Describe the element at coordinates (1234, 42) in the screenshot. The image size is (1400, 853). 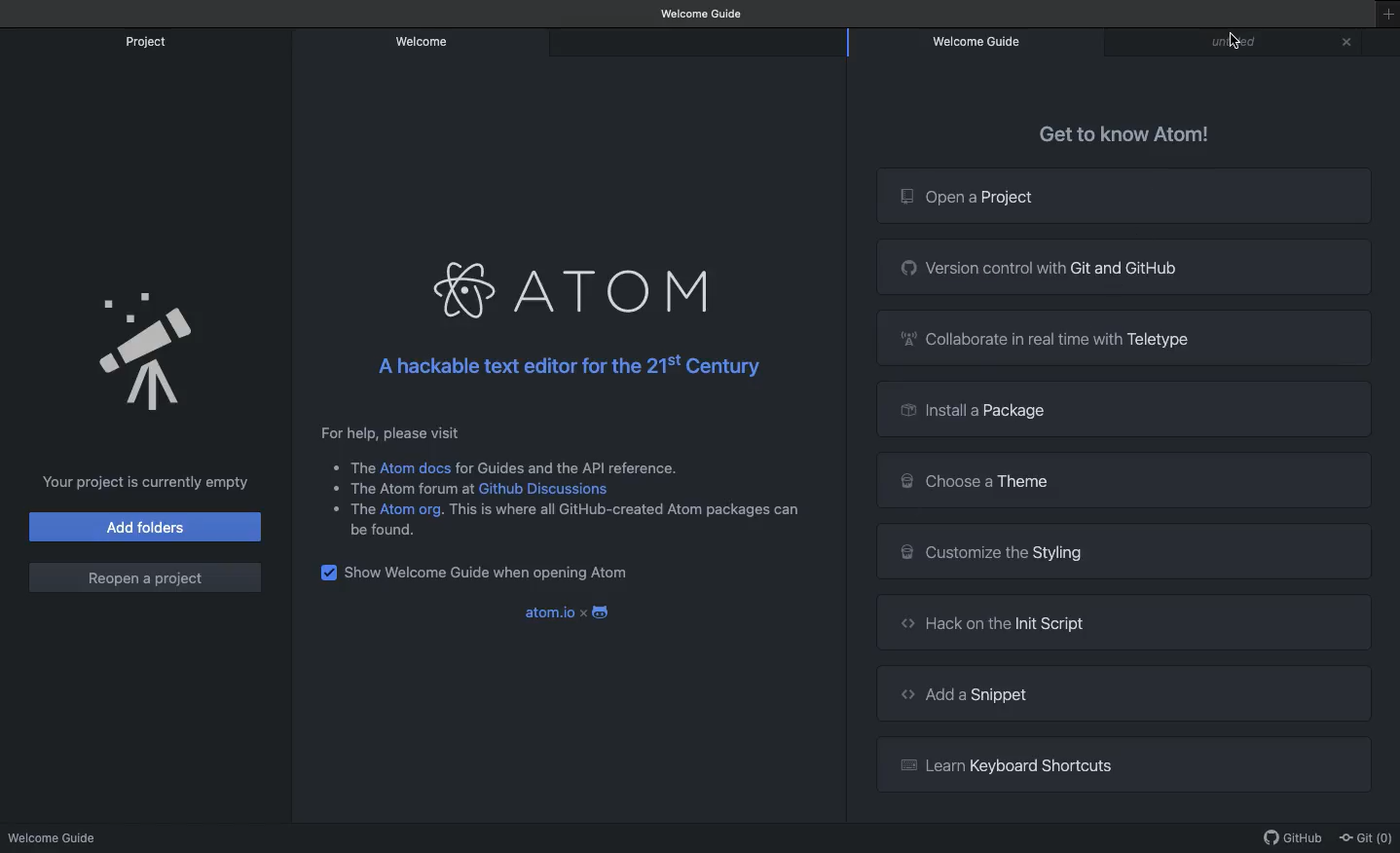
I see `Editor` at that location.